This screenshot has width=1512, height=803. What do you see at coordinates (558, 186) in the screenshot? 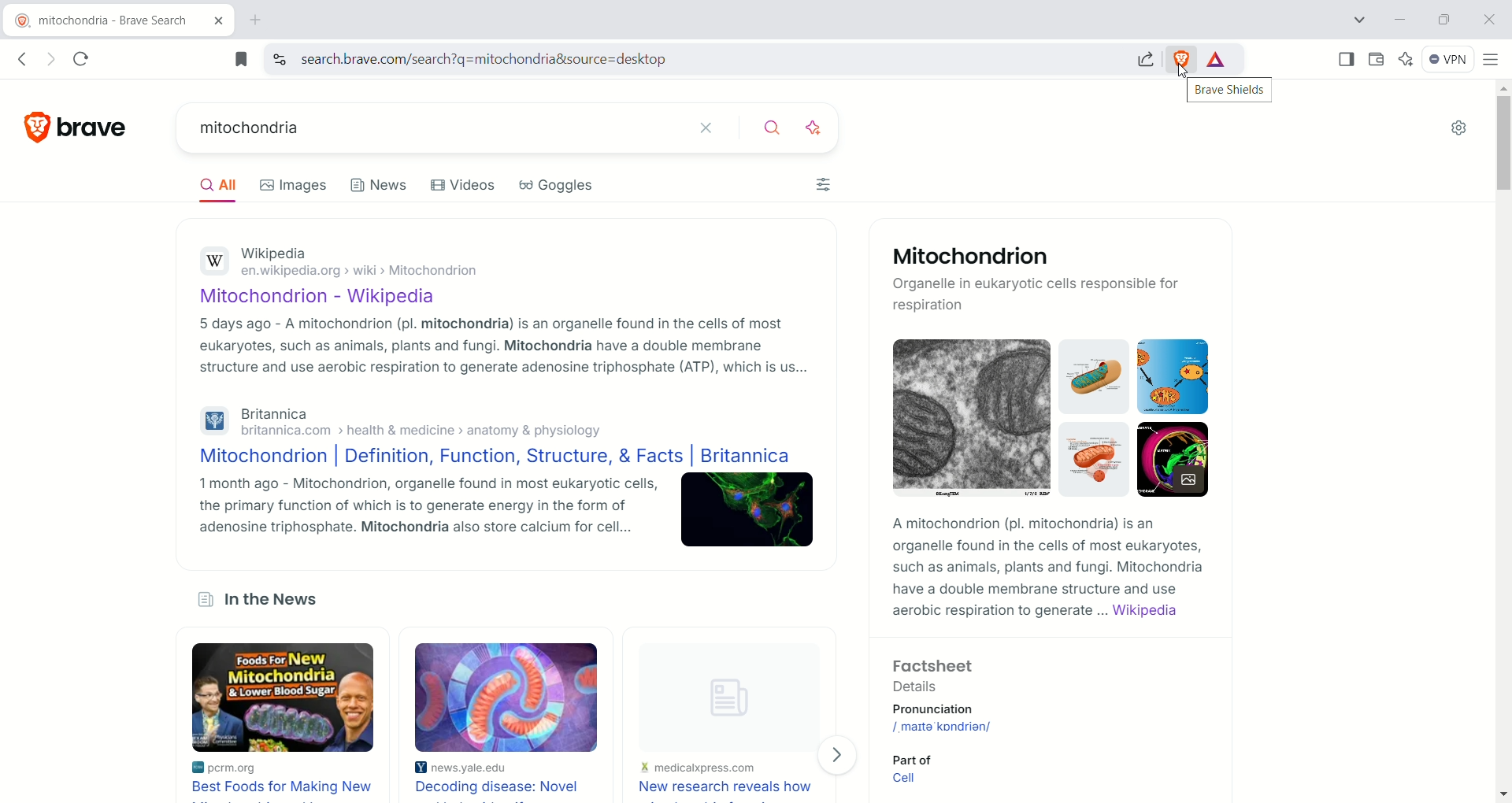
I see `Goggles` at bounding box center [558, 186].